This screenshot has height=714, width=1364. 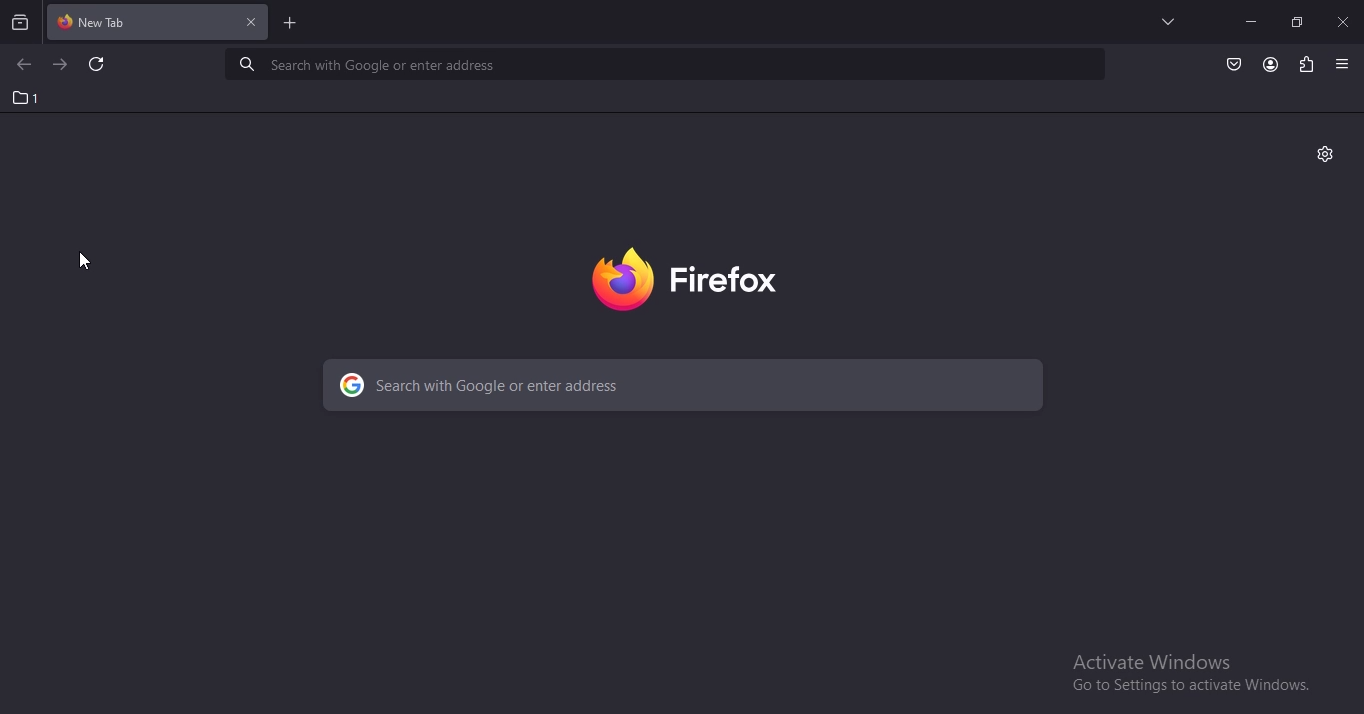 I want to click on go to previous page, so click(x=21, y=67).